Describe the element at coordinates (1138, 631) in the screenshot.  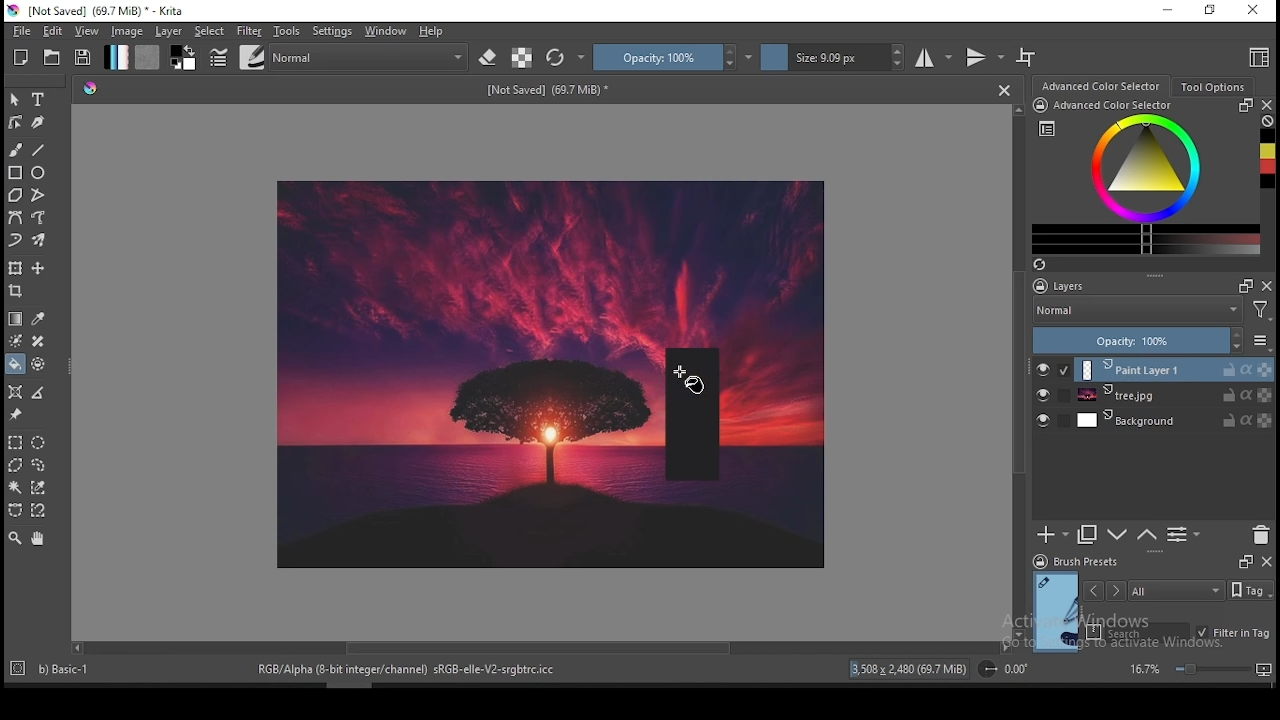
I see `search` at that location.